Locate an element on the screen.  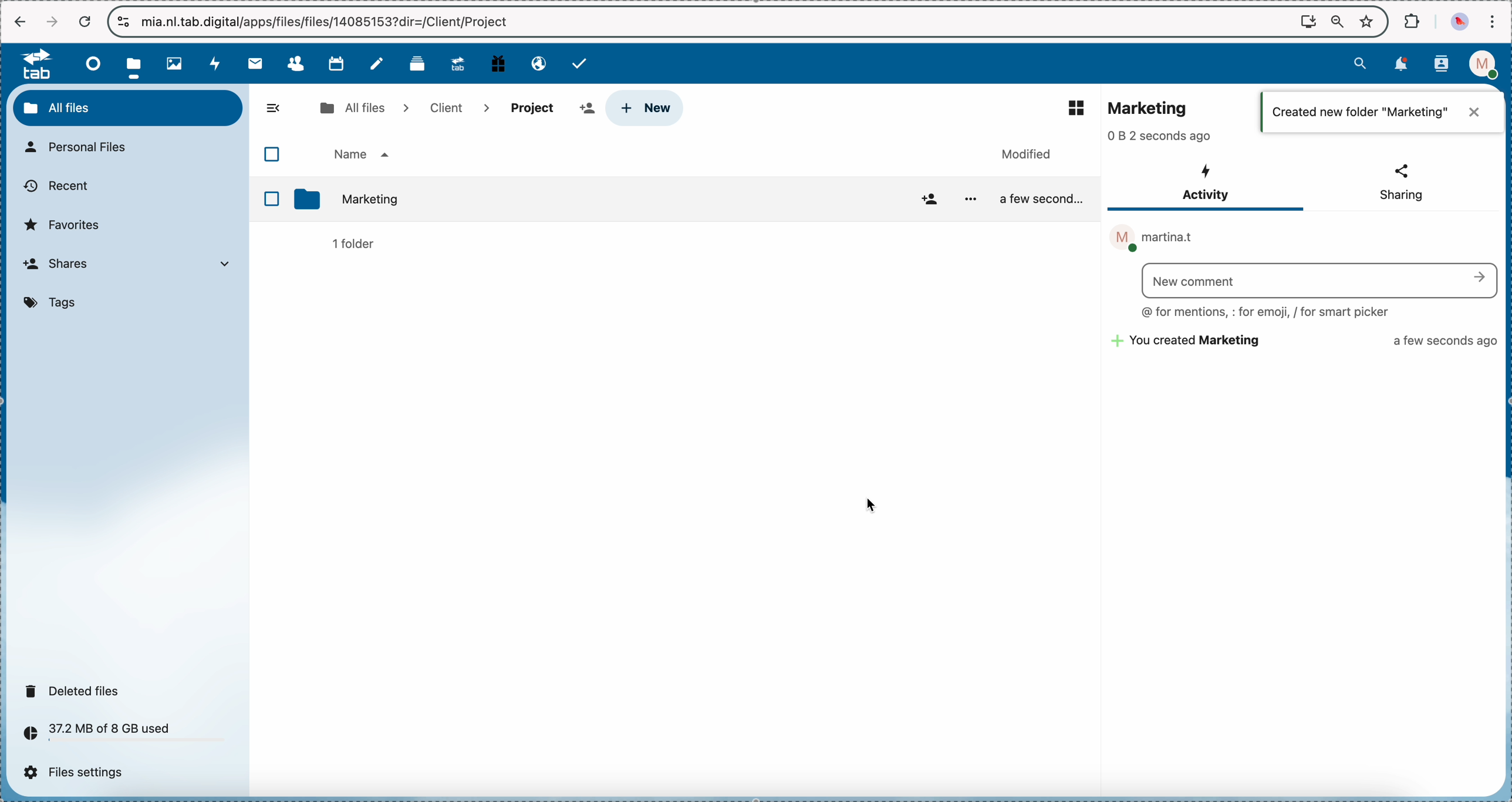
contacts is located at coordinates (295, 64).